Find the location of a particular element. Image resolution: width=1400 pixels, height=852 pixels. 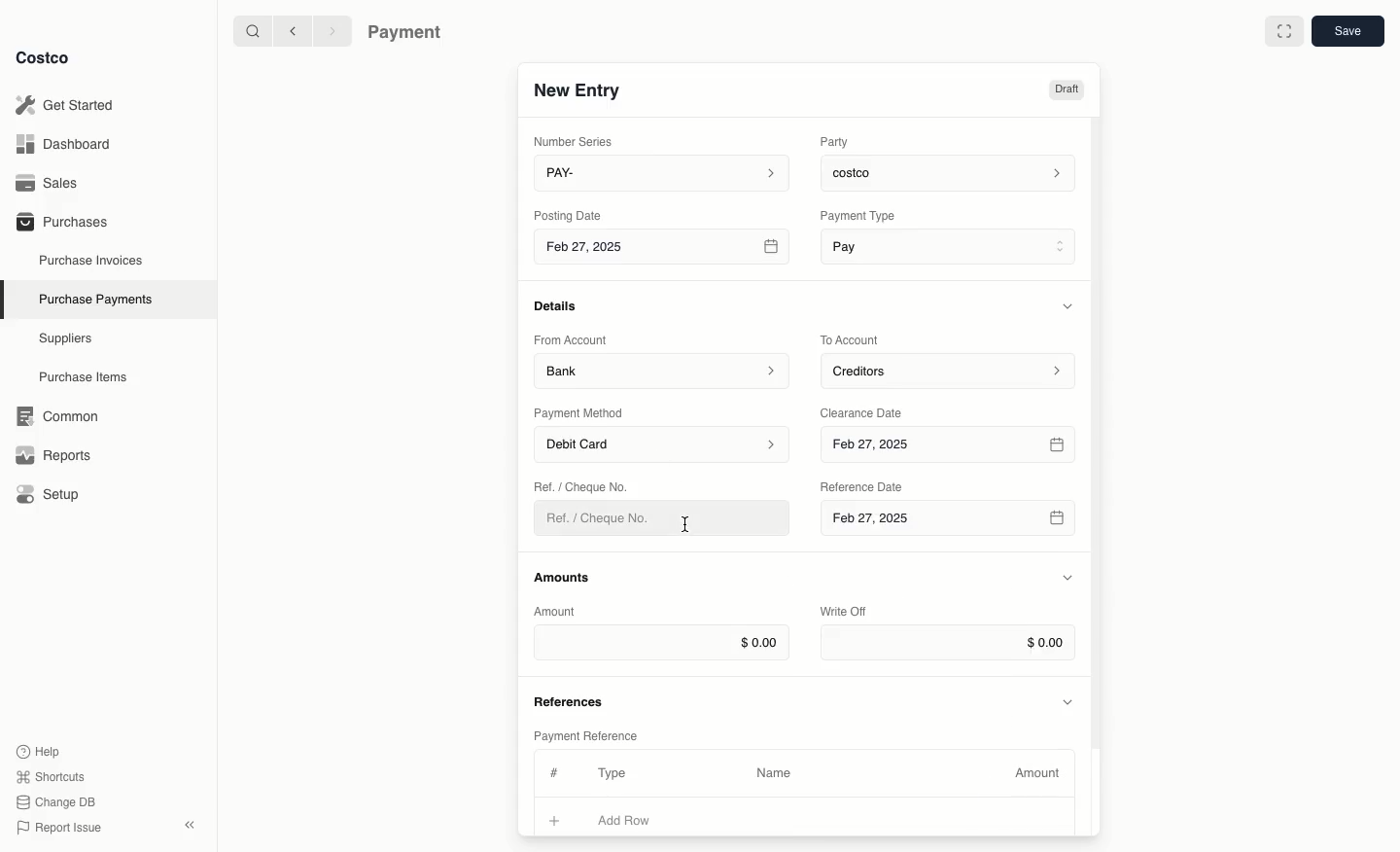

Get Started is located at coordinates (69, 105).